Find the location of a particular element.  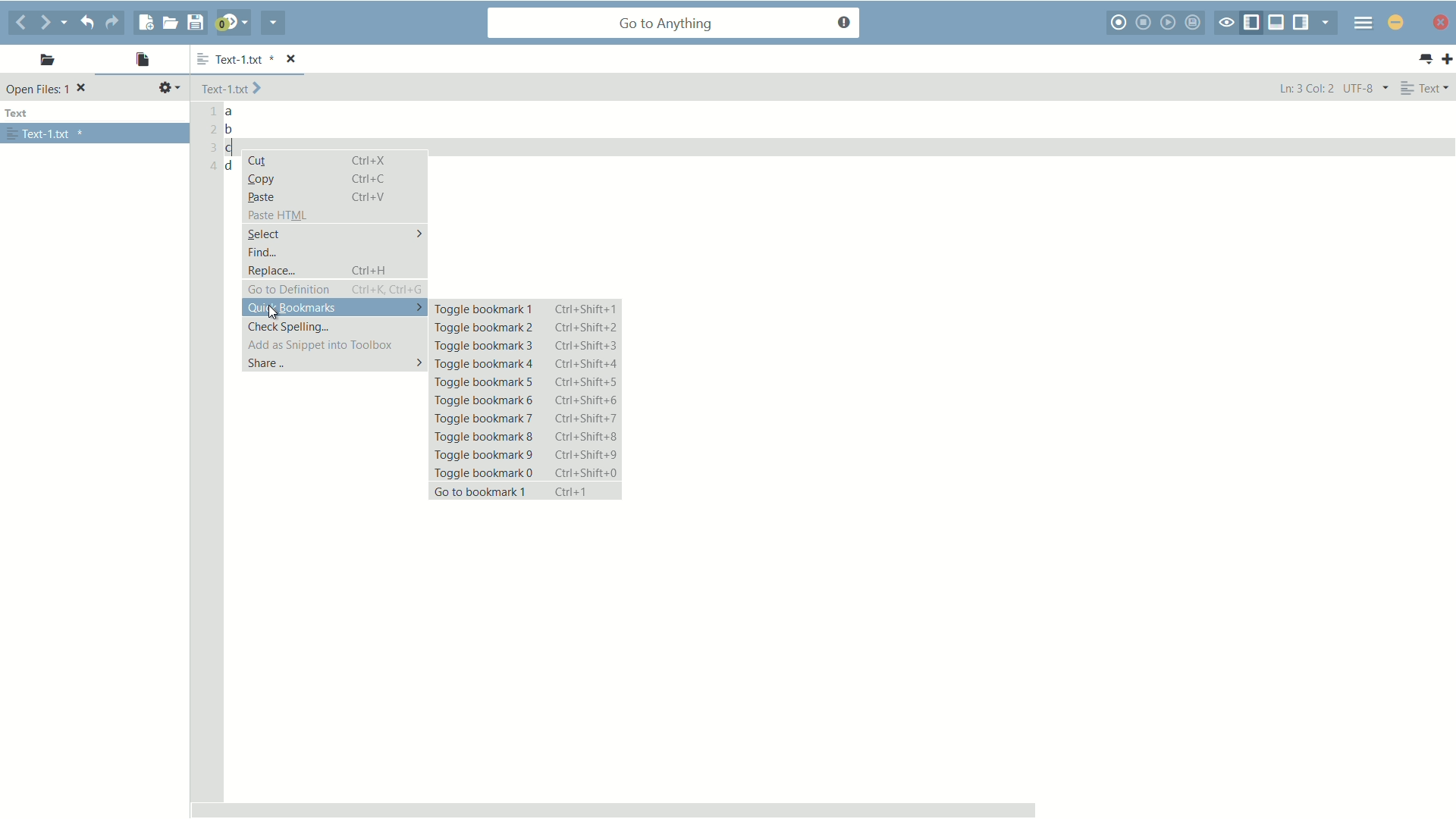

undo is located at coordinates (90, 22).